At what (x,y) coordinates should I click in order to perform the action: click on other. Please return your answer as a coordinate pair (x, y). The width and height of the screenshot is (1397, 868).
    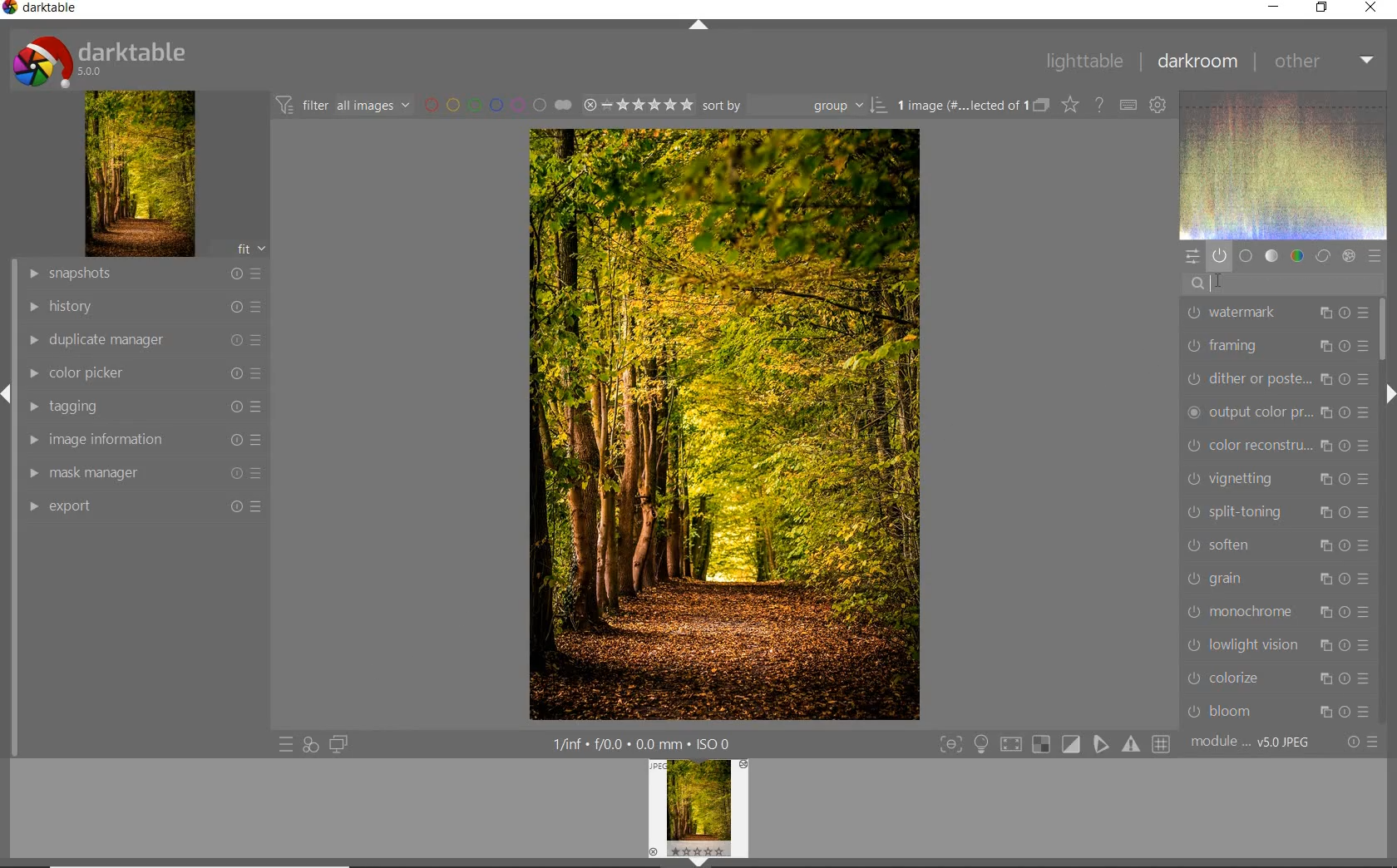
    Looking at the image, I should click on (1325, 62).